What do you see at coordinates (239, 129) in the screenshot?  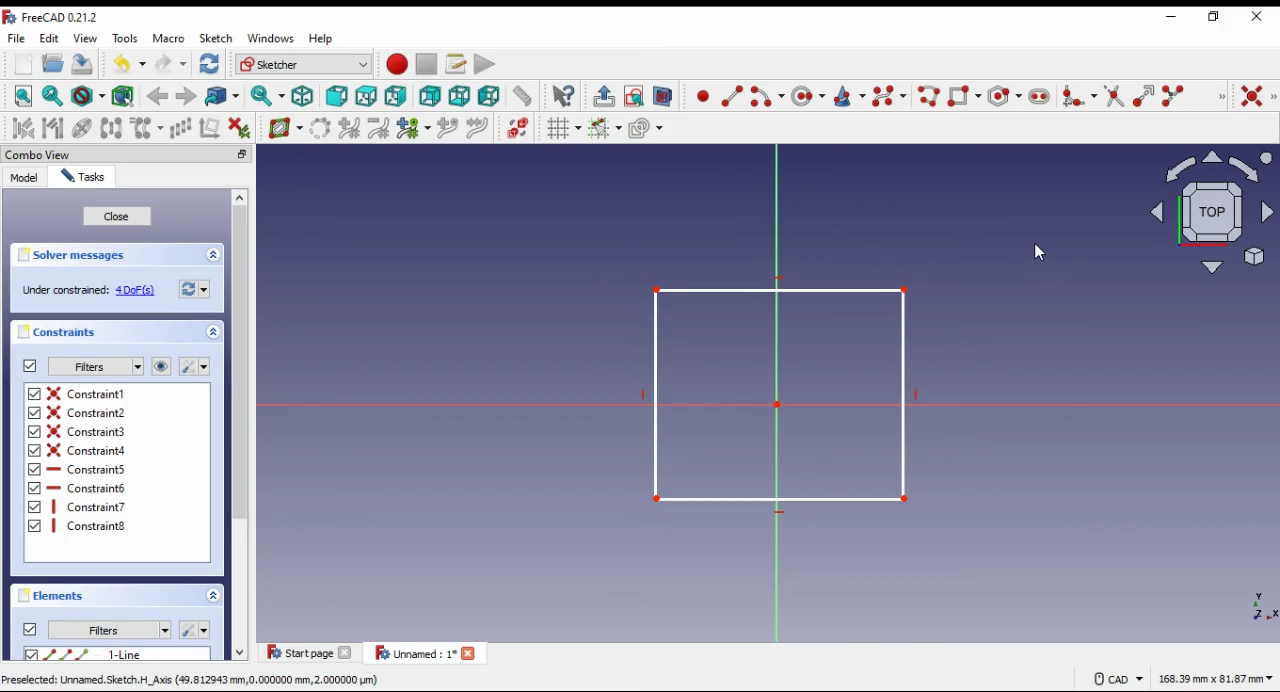 I see `delete all constraints` at bounding box center [239, 129].